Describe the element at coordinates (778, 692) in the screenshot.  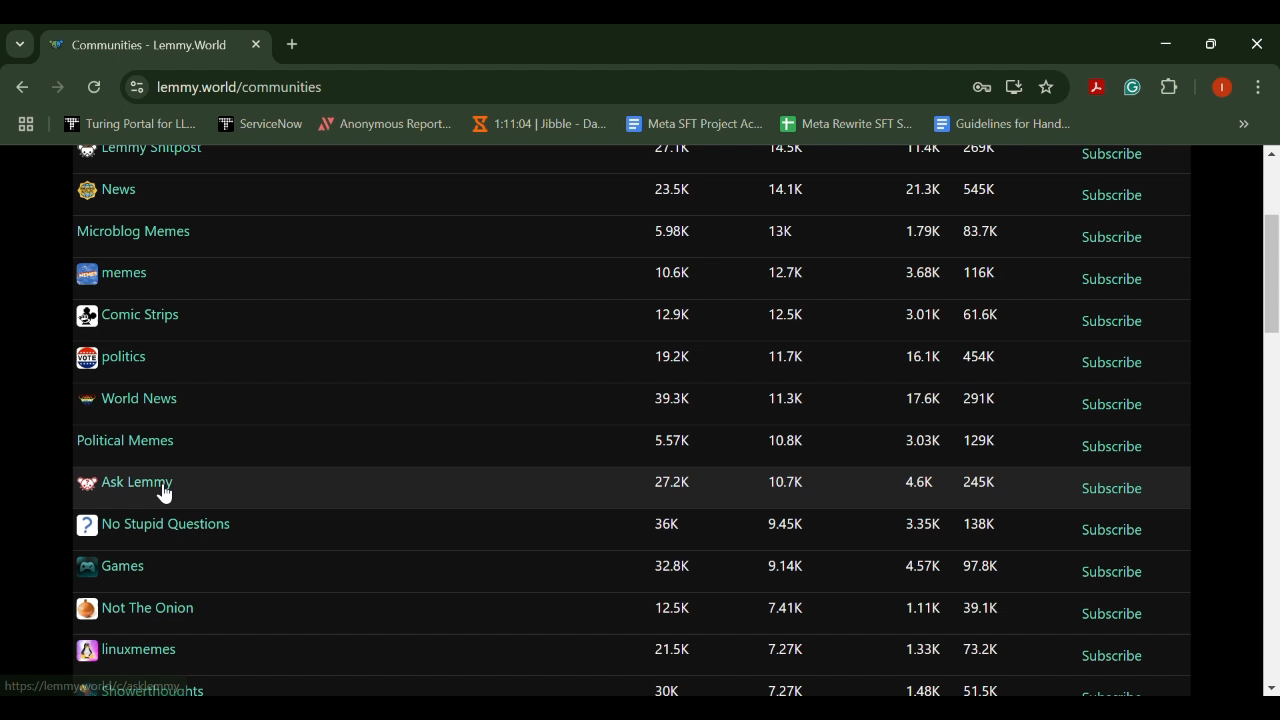
I see `7.27K` at that location.